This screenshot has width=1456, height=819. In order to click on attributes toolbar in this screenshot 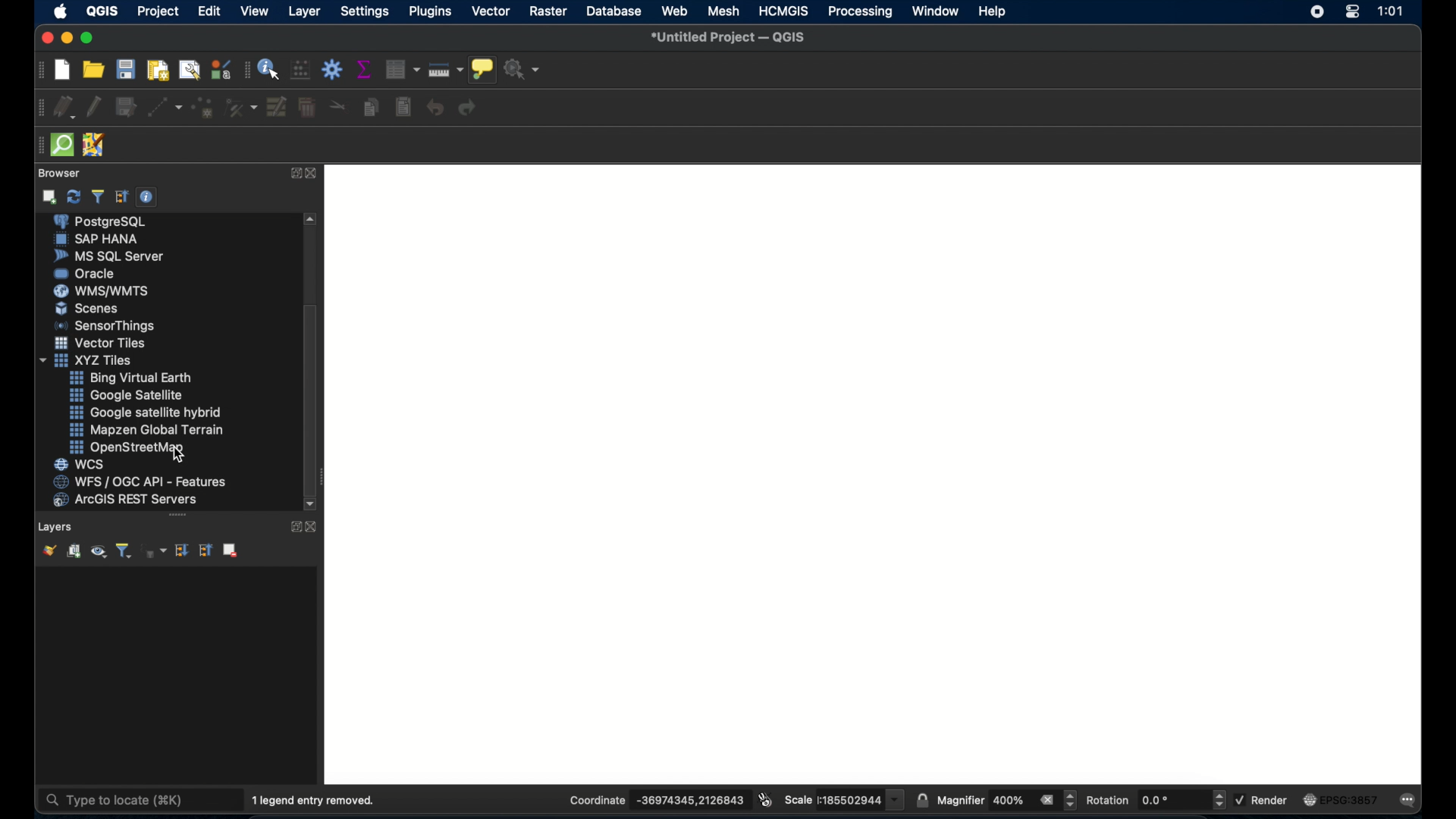, I will do `click(246, 69)`.